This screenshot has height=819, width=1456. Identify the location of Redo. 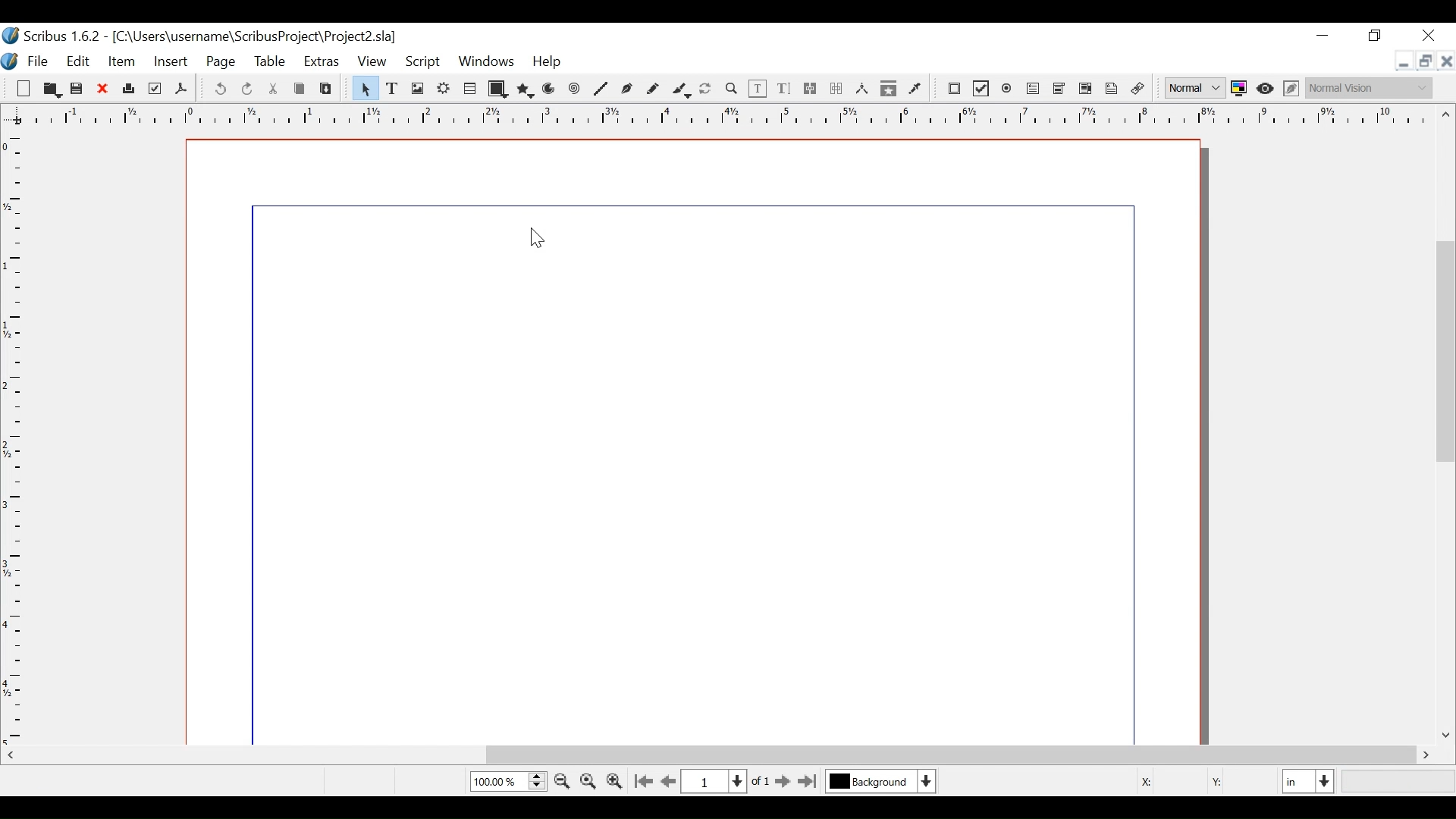
(246, 88).